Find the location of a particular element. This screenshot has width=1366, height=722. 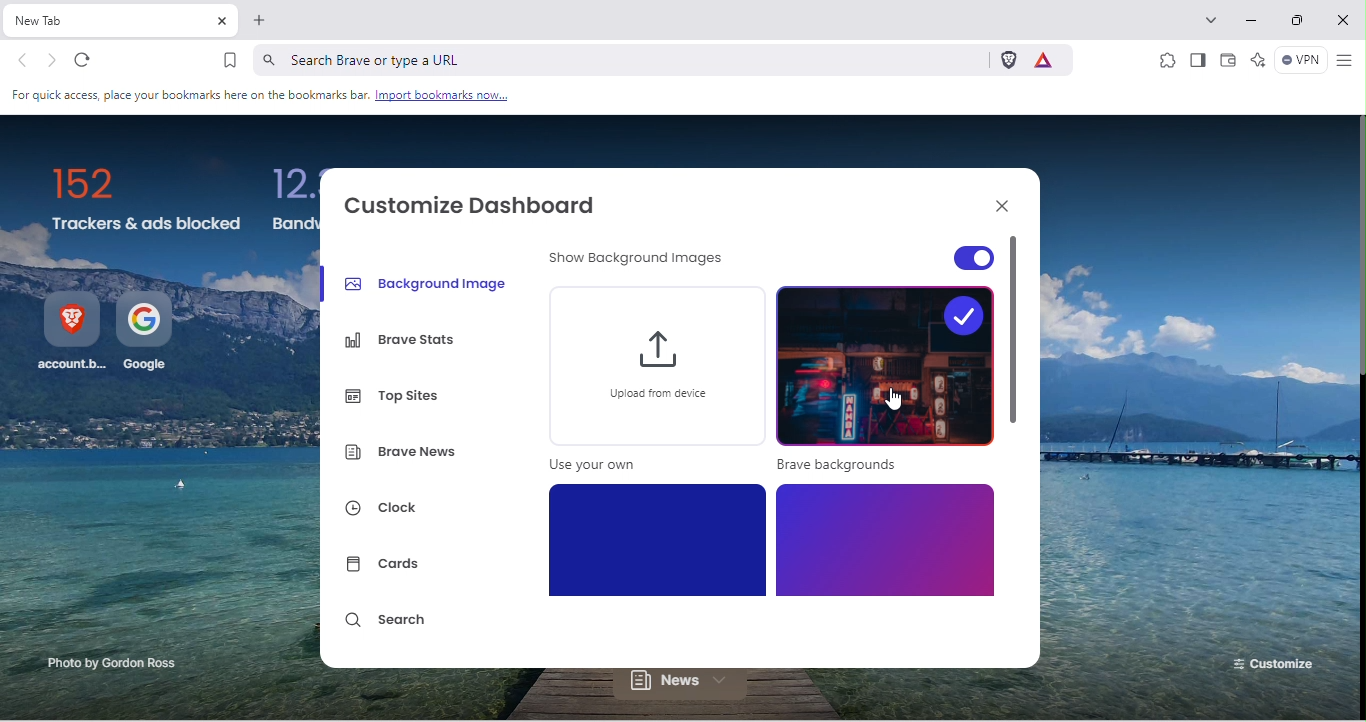

Search is located at coordinates (389, 625).